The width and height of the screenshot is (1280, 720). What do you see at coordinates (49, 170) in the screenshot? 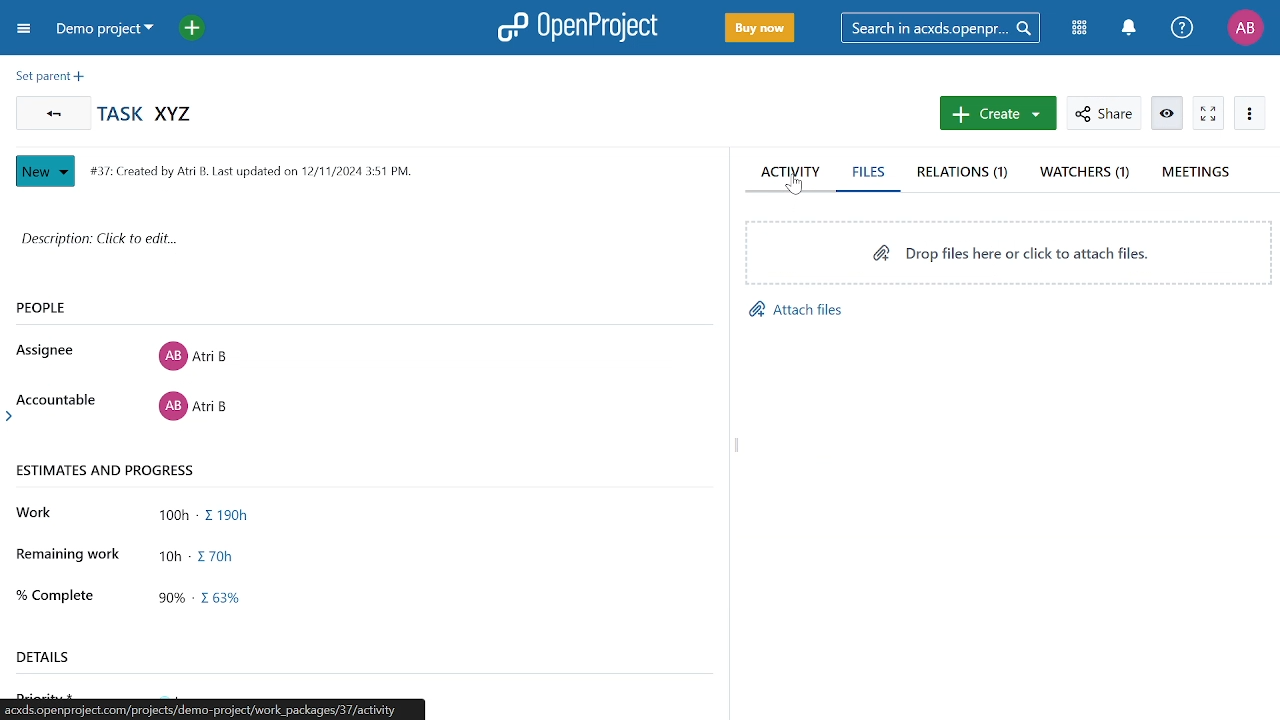
I see `New` at bounding box center [49, 170].